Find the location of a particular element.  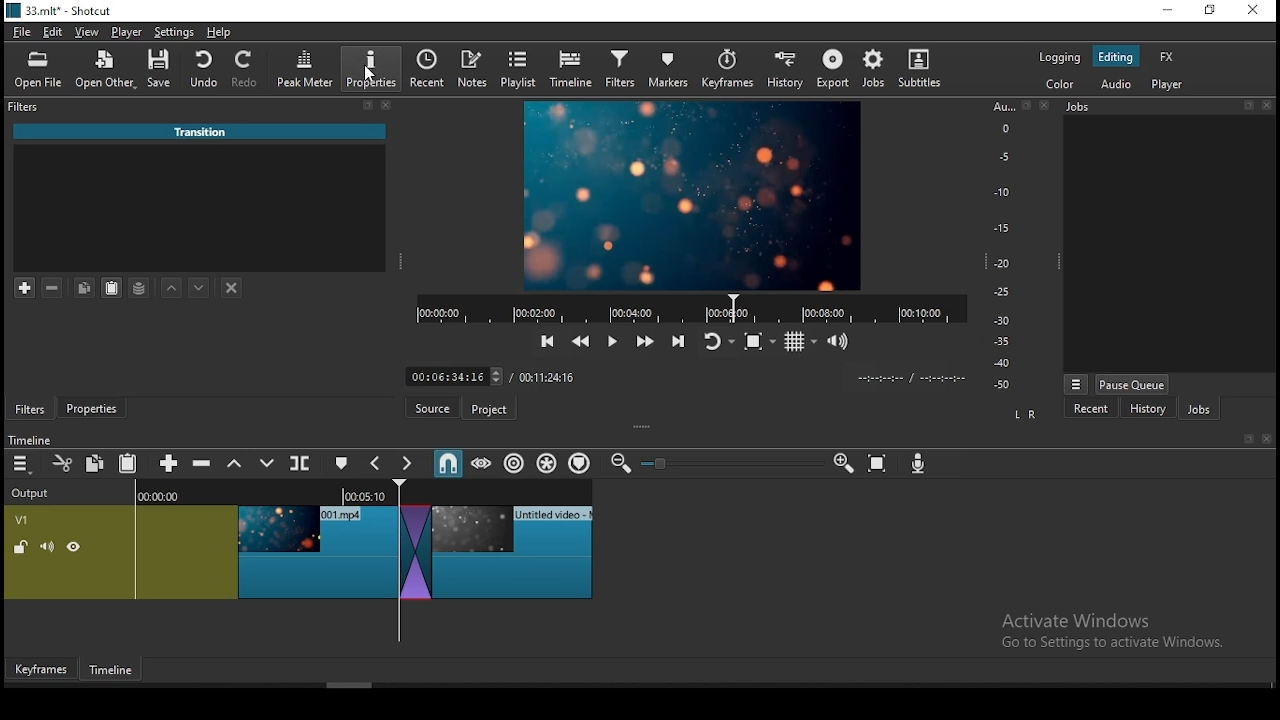

audio is located at coordinates (1117, 84).